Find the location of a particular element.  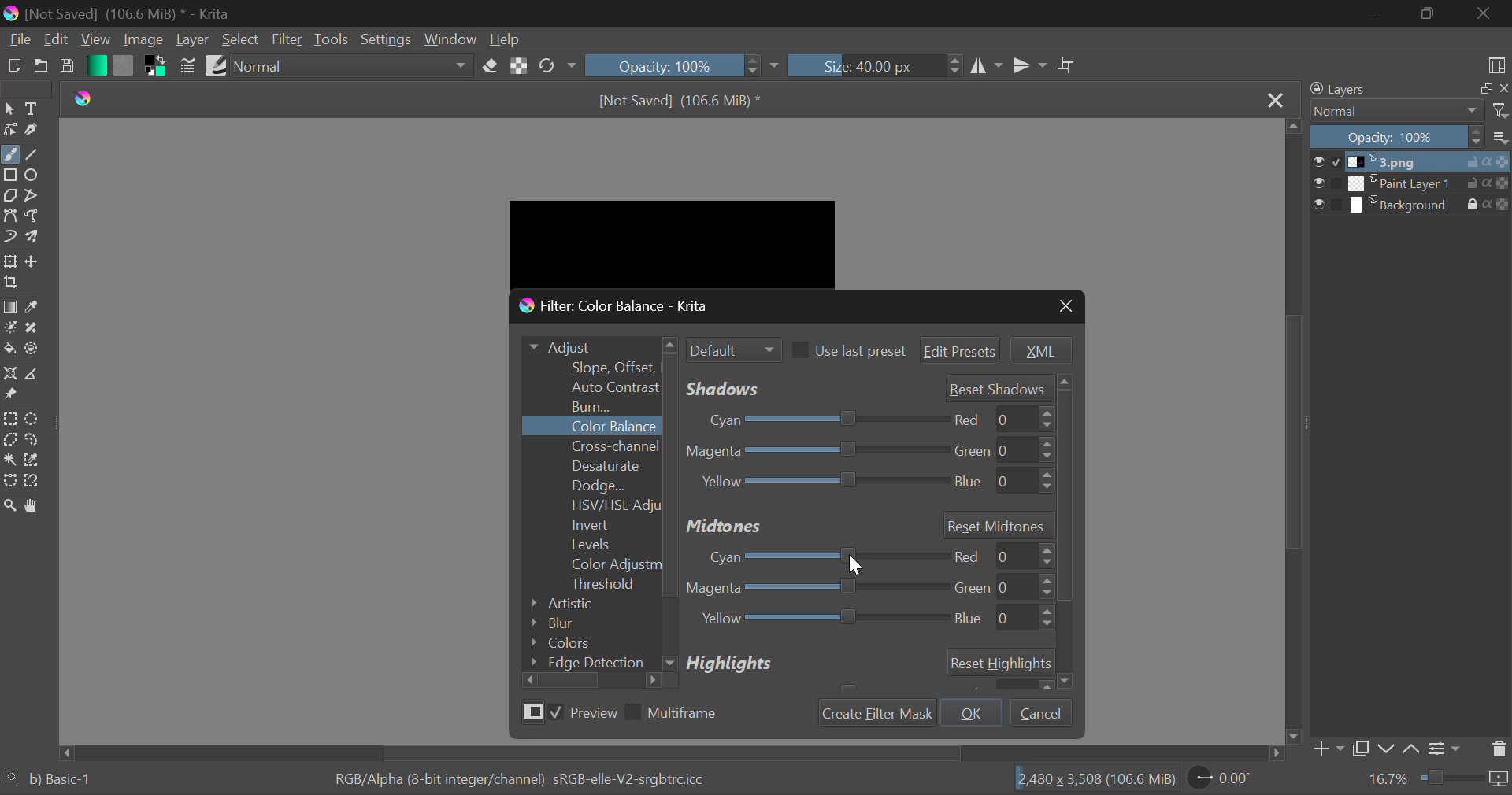

Midtones Section Header is located at coordinates (868, 524).